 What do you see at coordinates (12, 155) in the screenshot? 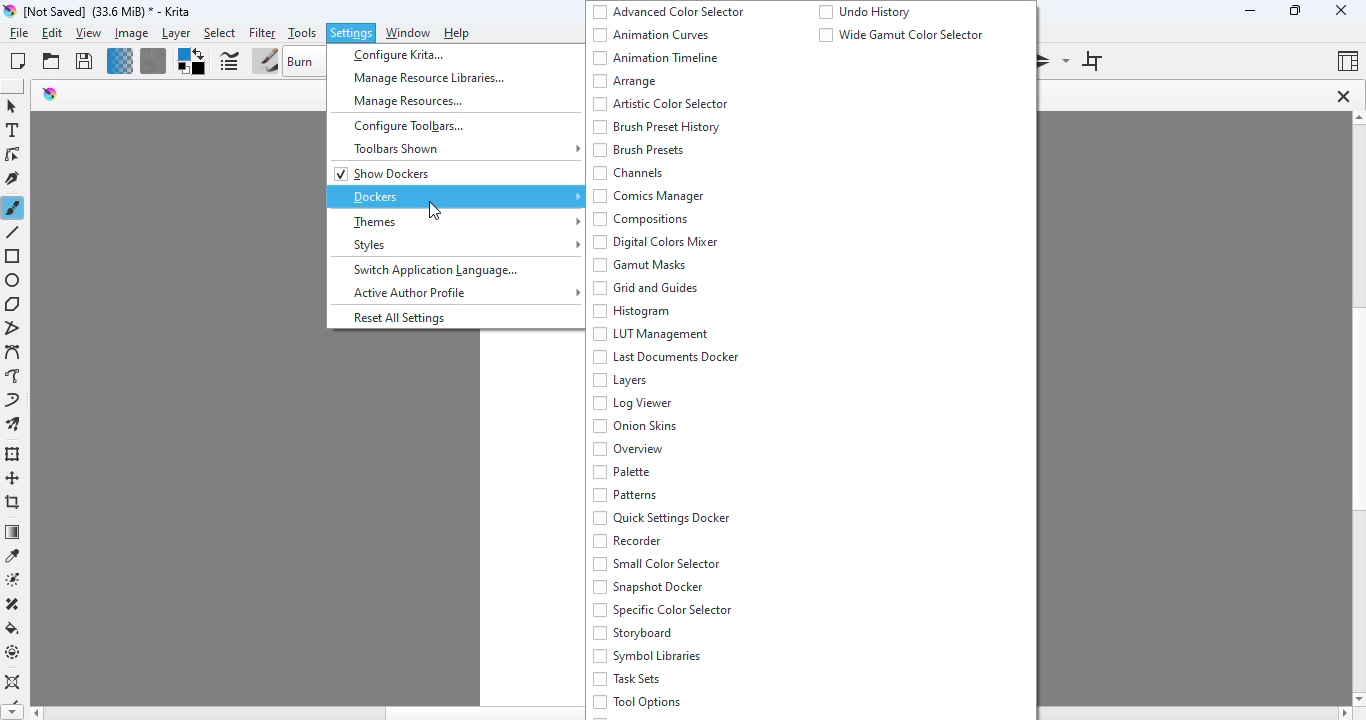
I see `edit shapes tool` at bounding box center [12, 155].